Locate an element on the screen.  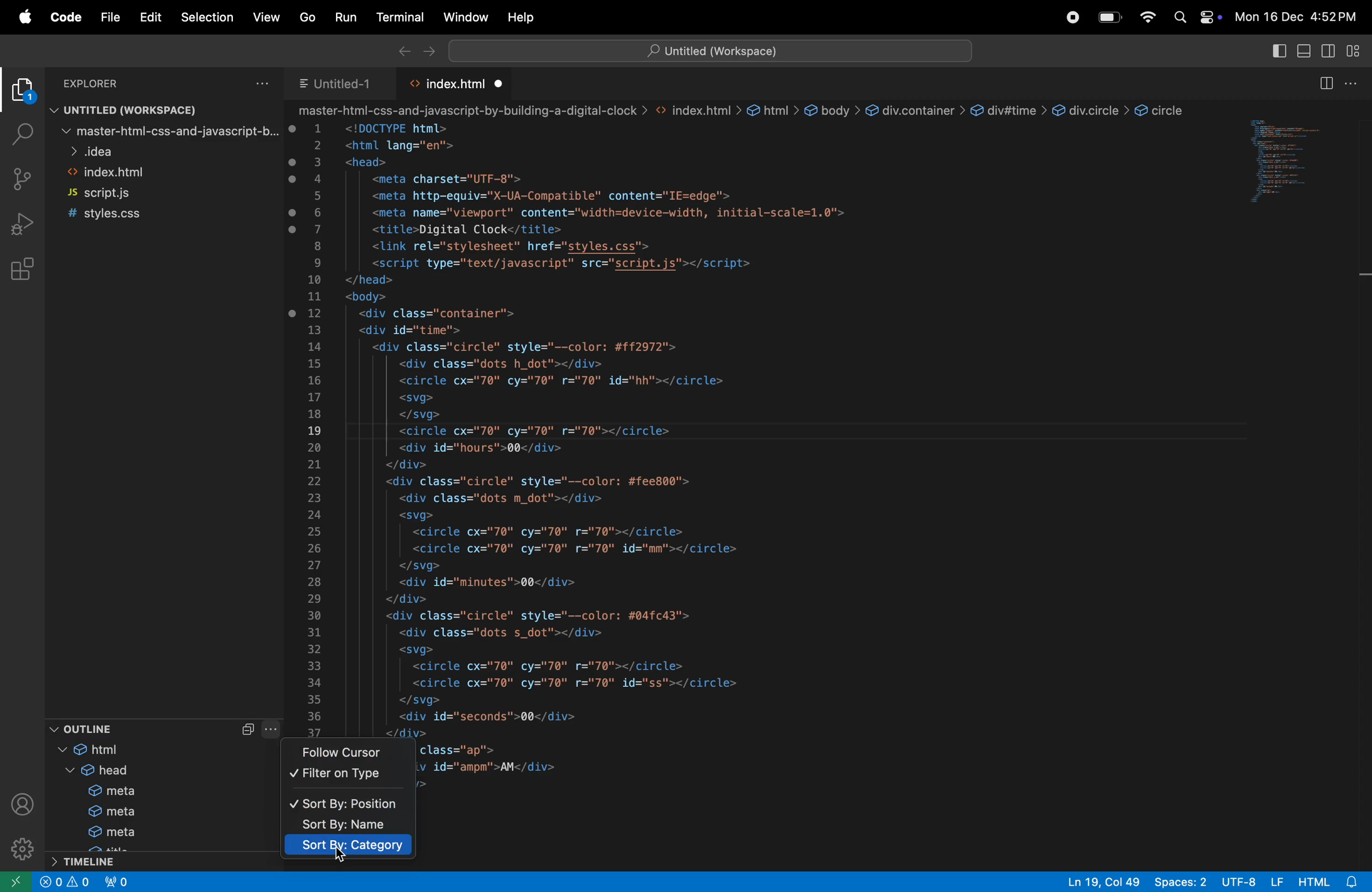
timeline is located at coordinates (101, 862).